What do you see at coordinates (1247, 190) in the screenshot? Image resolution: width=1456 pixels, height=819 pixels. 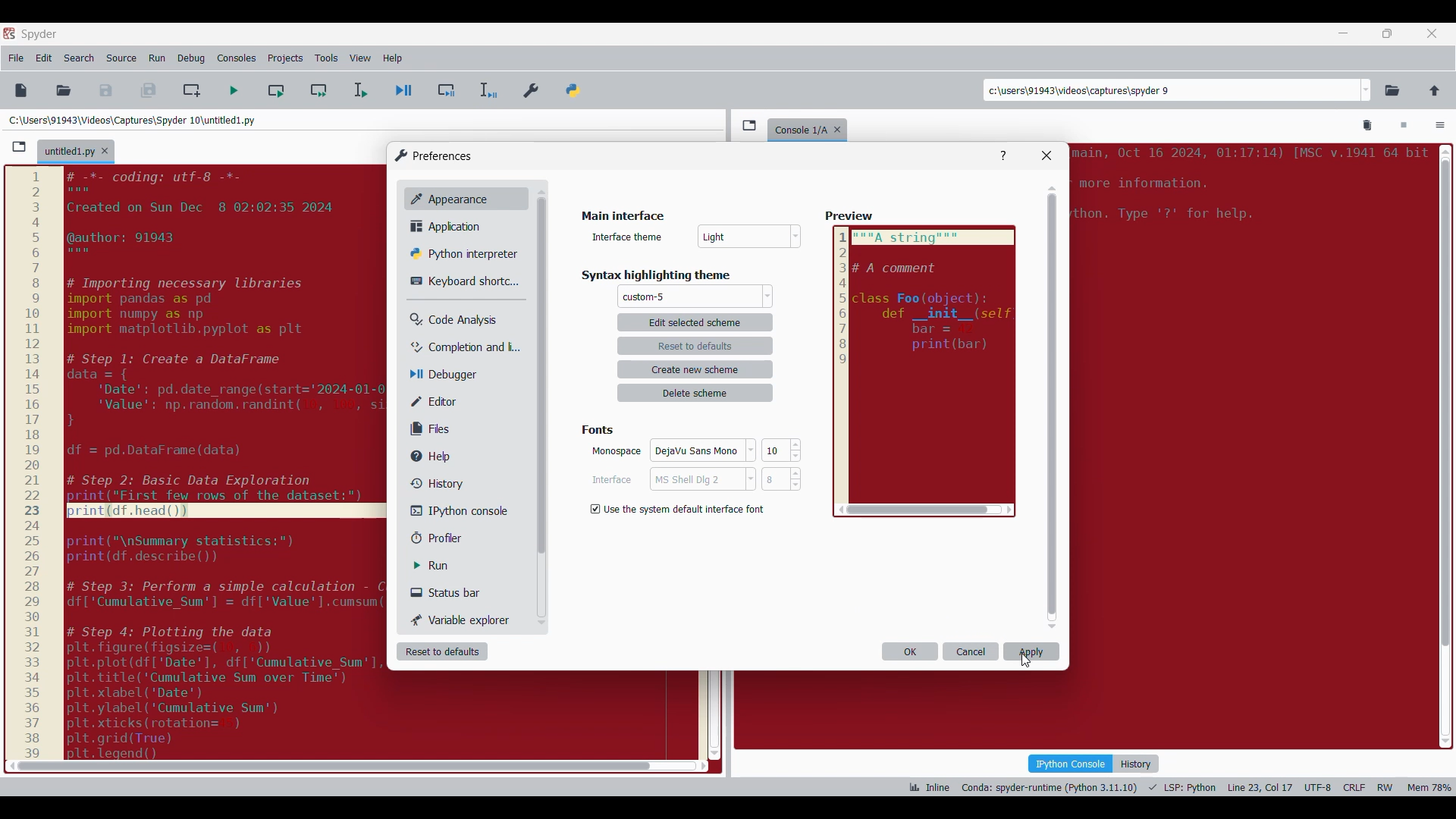 I see `code` at bounding box center [1247, 190].